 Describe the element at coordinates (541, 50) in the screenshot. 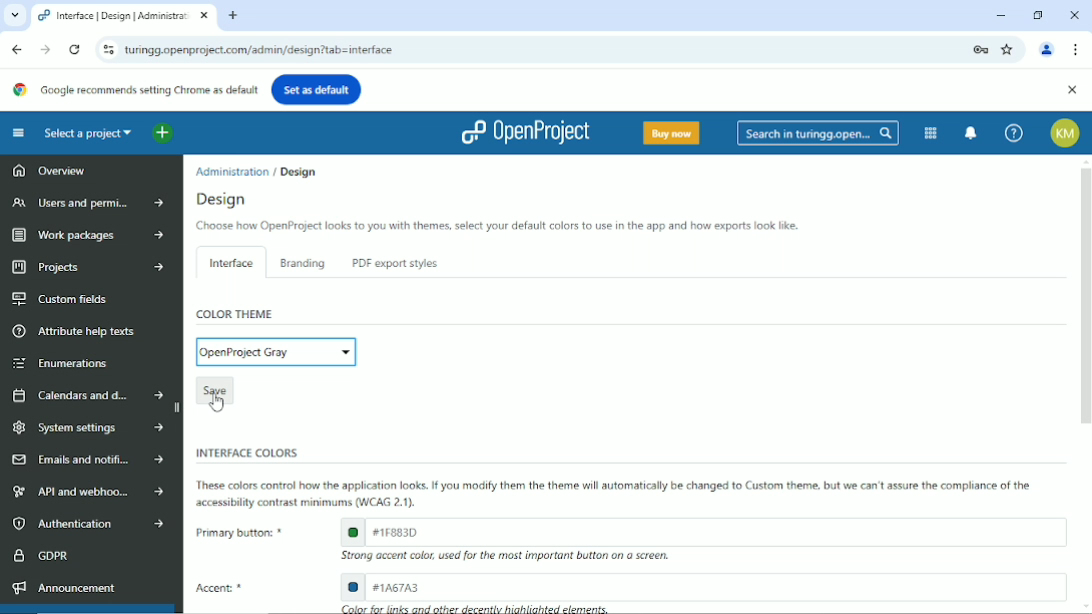

I see `turingg.openproject.com/admin/design’tab = interface` at that location.